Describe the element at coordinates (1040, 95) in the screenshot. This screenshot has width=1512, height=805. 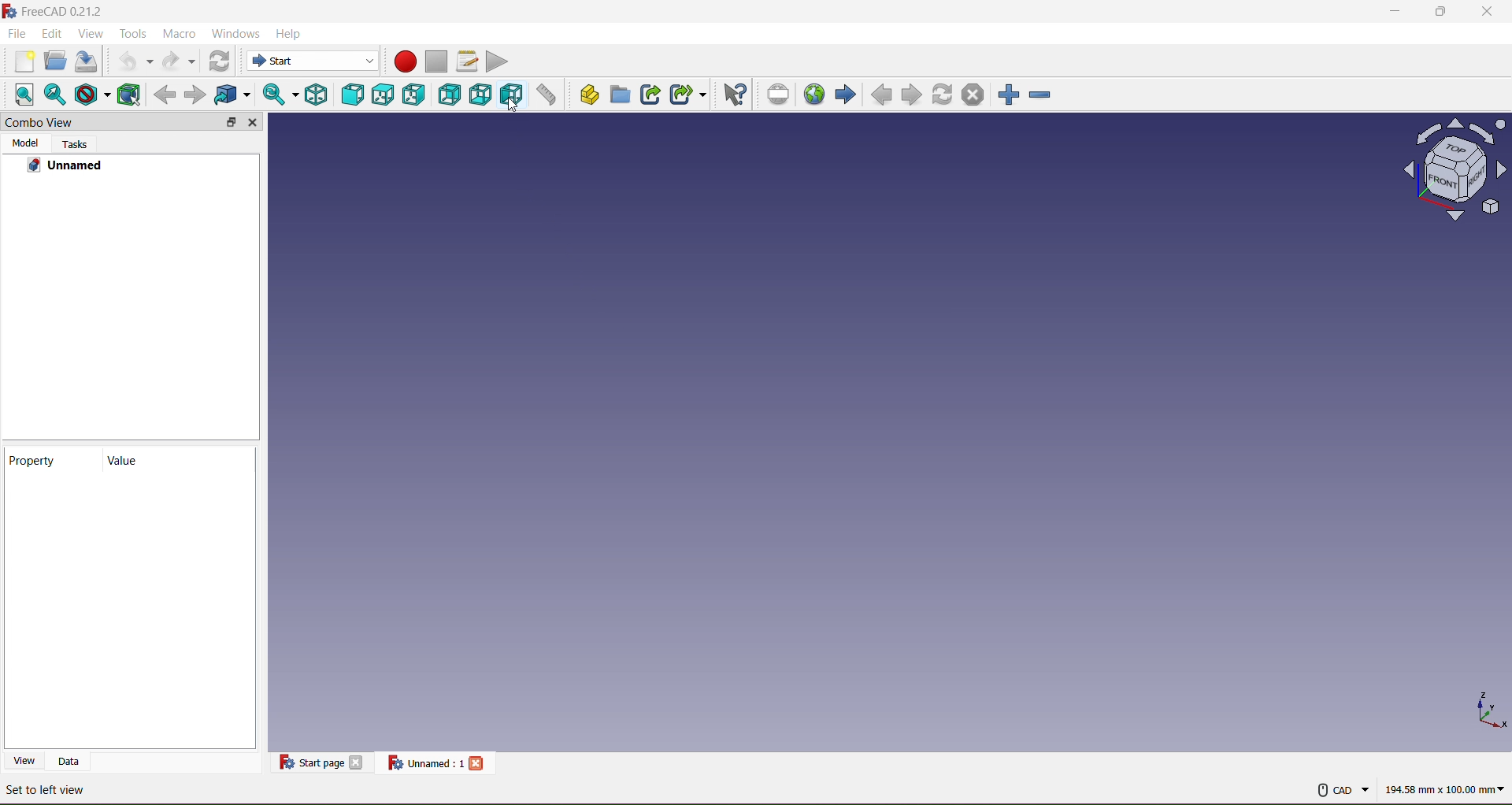
I see `Zoom out` at that location.